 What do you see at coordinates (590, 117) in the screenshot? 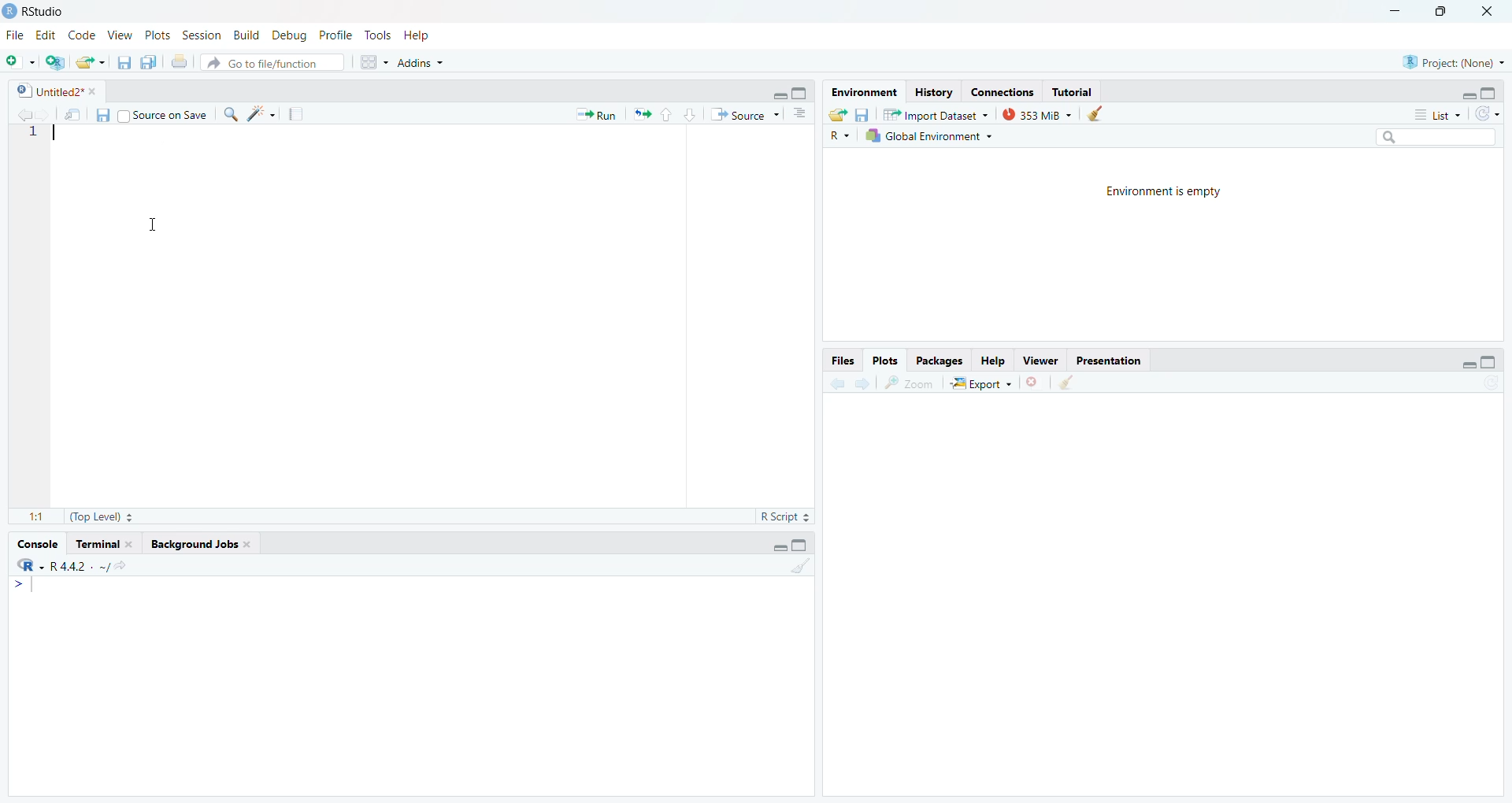
I see `* Run` at bounding box center [590, 117].